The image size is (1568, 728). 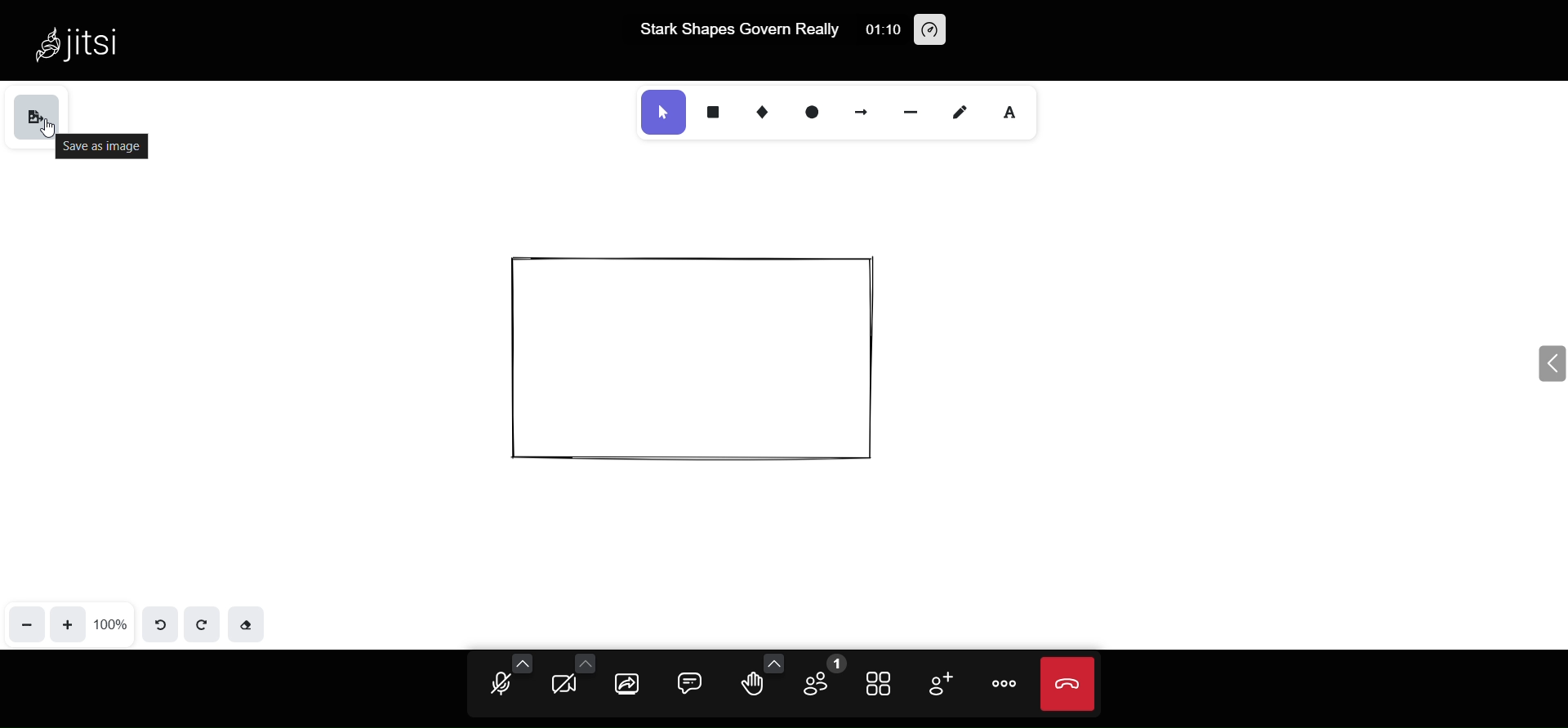 I want to click on jitsi, so click(x=78, y=42).